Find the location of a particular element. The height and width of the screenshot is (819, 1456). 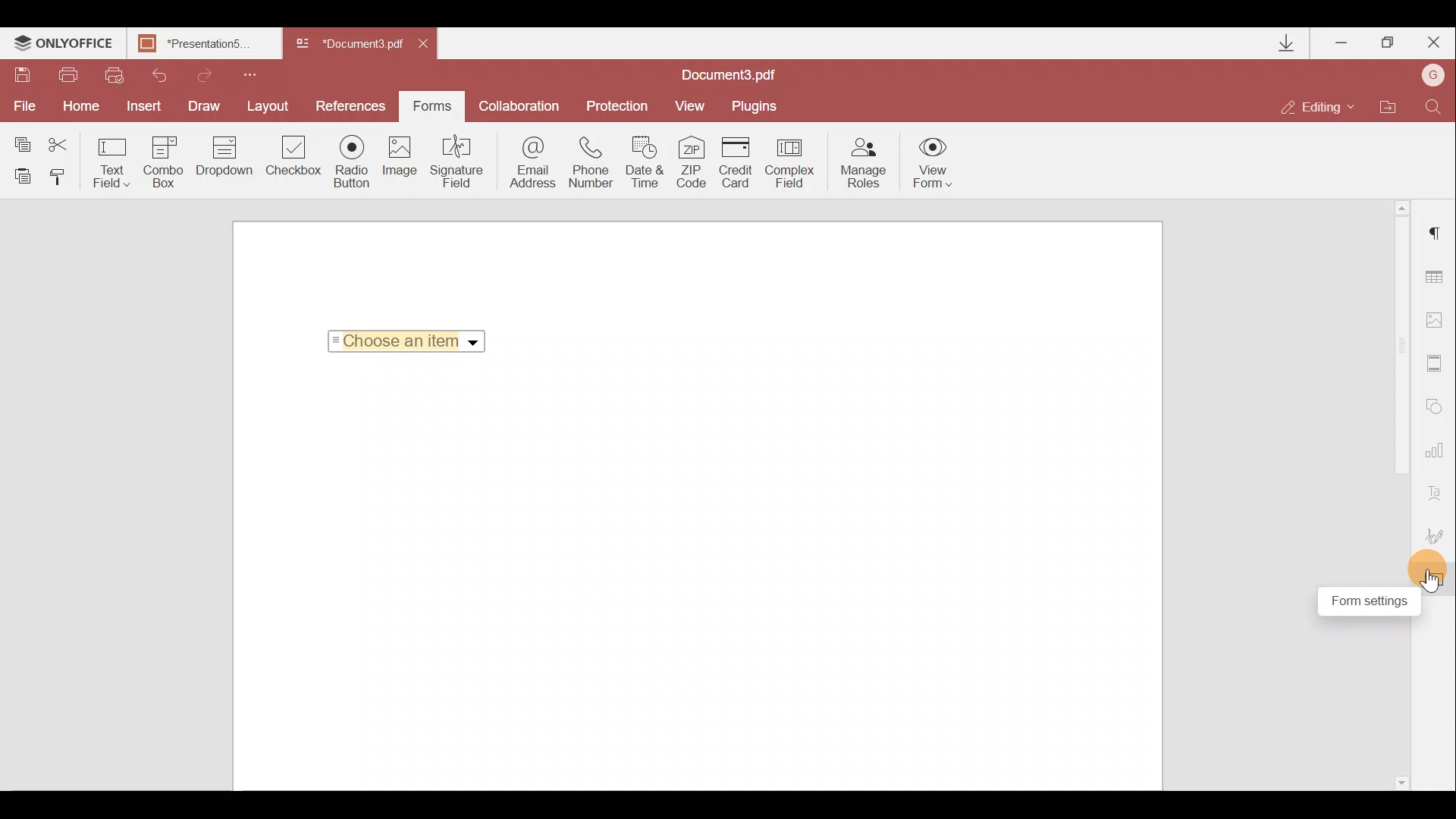

Table settings is located at coordinates (1436, 277).